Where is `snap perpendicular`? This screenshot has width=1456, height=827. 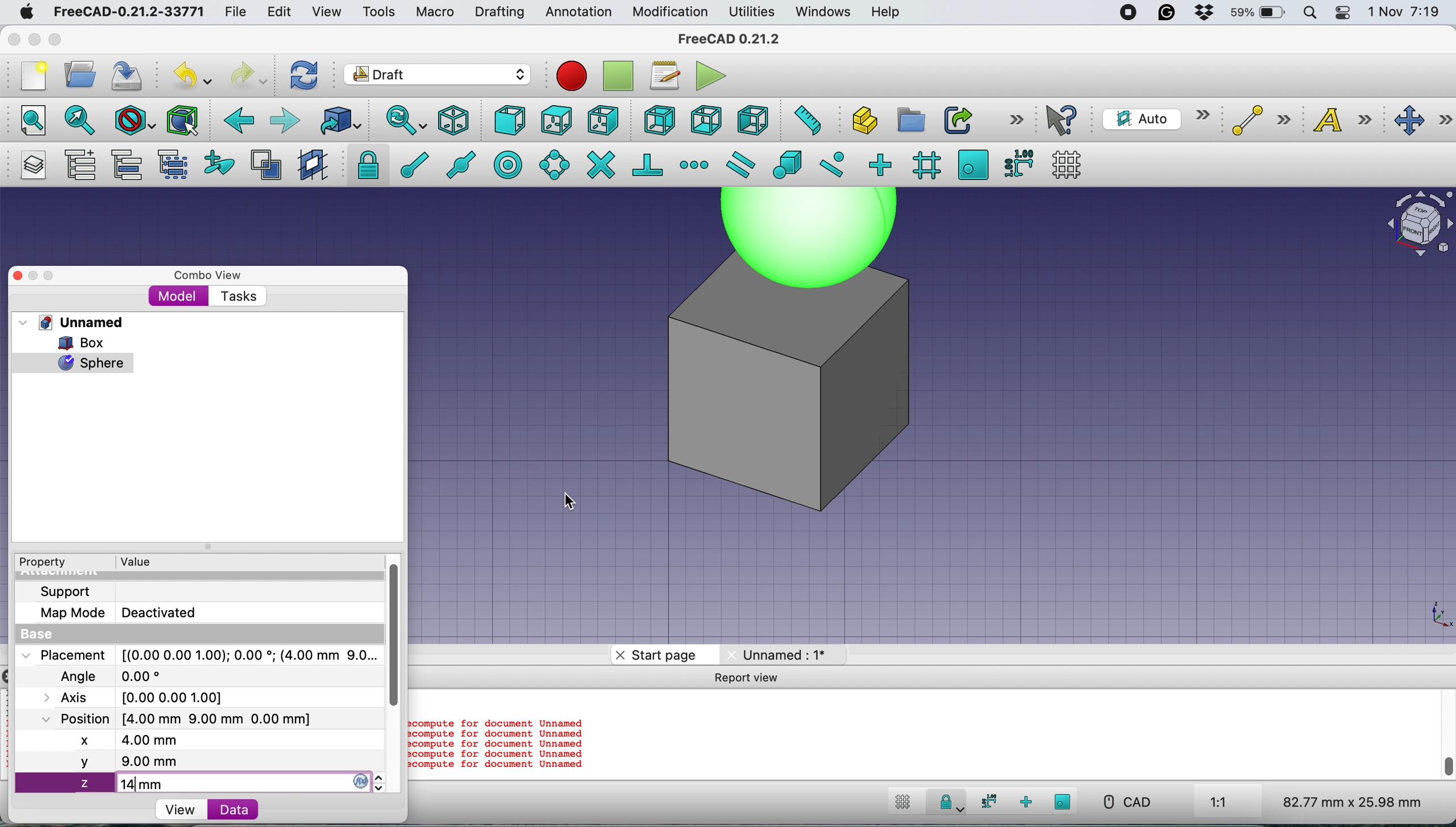
snap perpendicular is located at coordinates (649, 164).